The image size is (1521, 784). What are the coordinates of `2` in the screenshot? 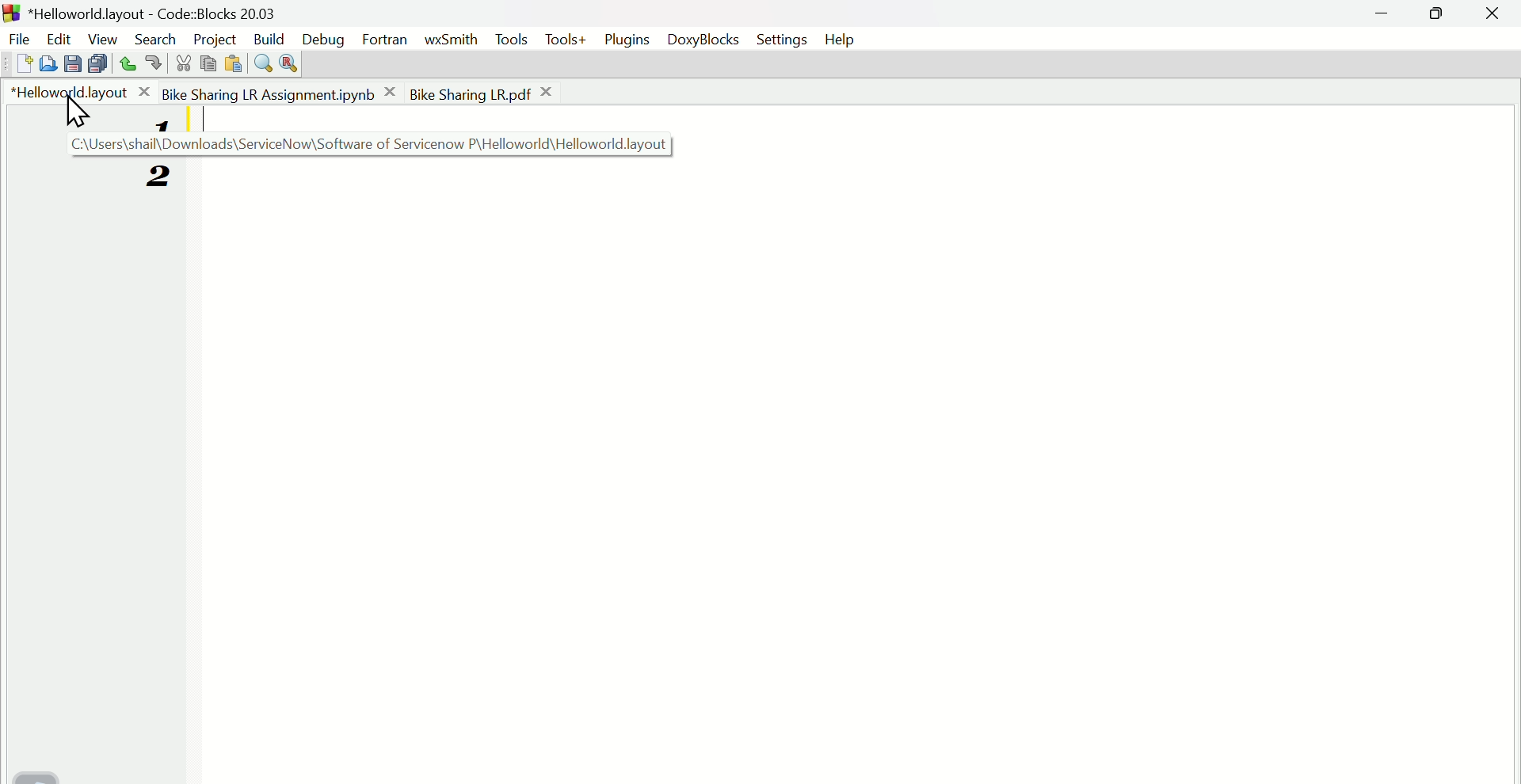 It's located at (153, 177).